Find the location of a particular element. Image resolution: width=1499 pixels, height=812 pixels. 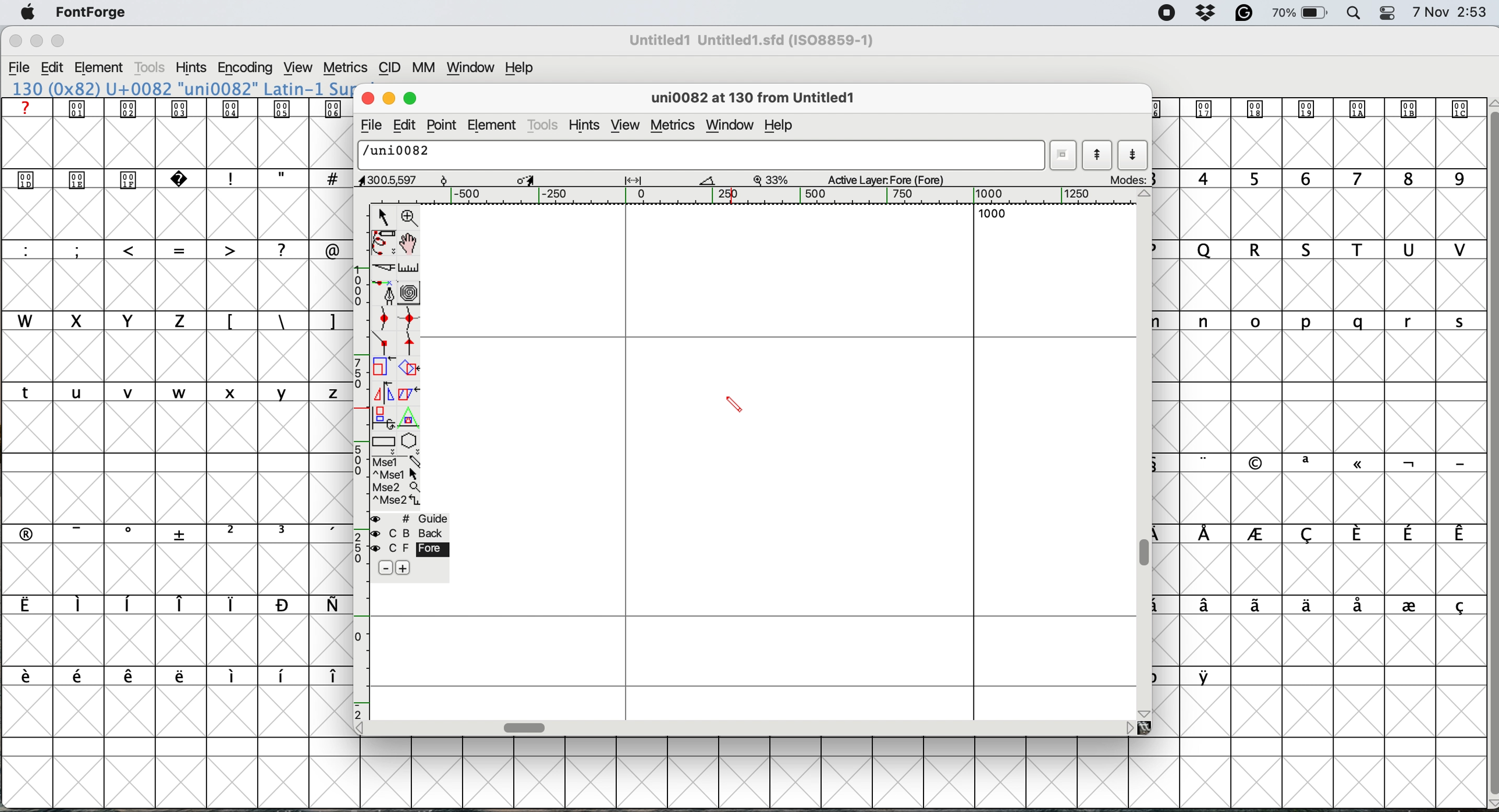

add a curve point is located at coordinates (386, 320).